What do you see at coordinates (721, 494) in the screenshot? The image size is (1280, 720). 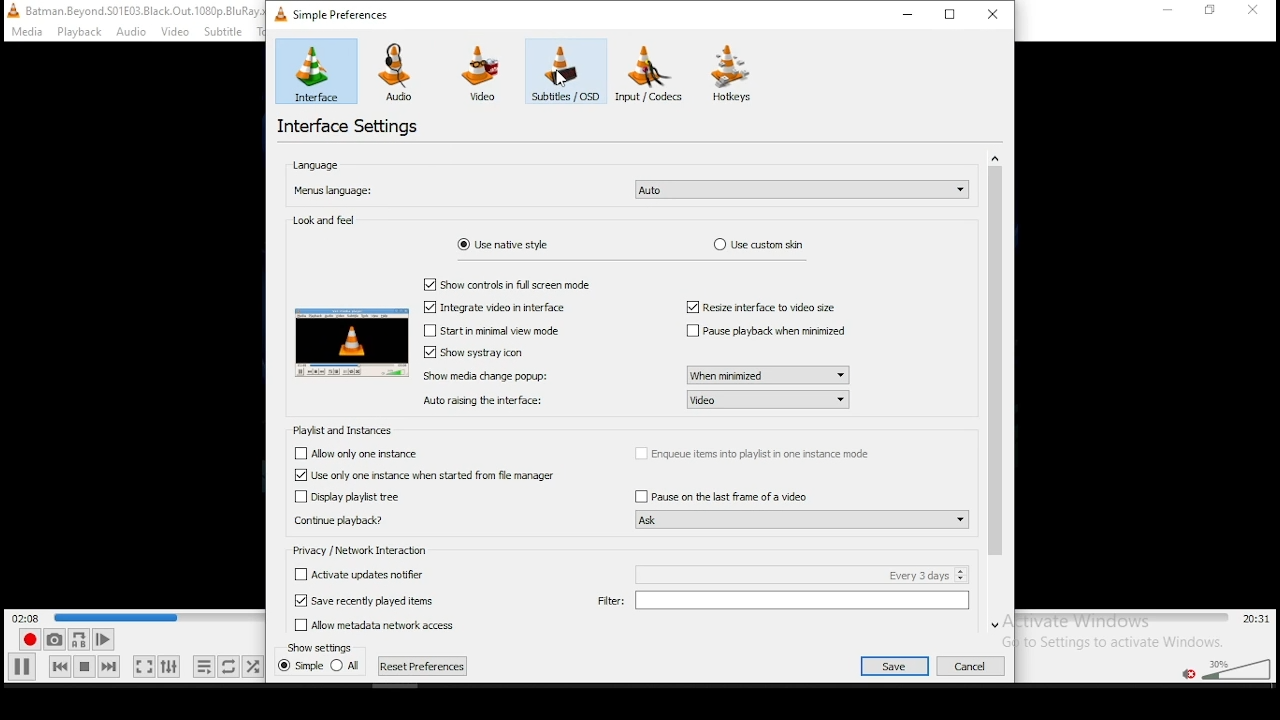 I see `` at bounding box center [721, 494].